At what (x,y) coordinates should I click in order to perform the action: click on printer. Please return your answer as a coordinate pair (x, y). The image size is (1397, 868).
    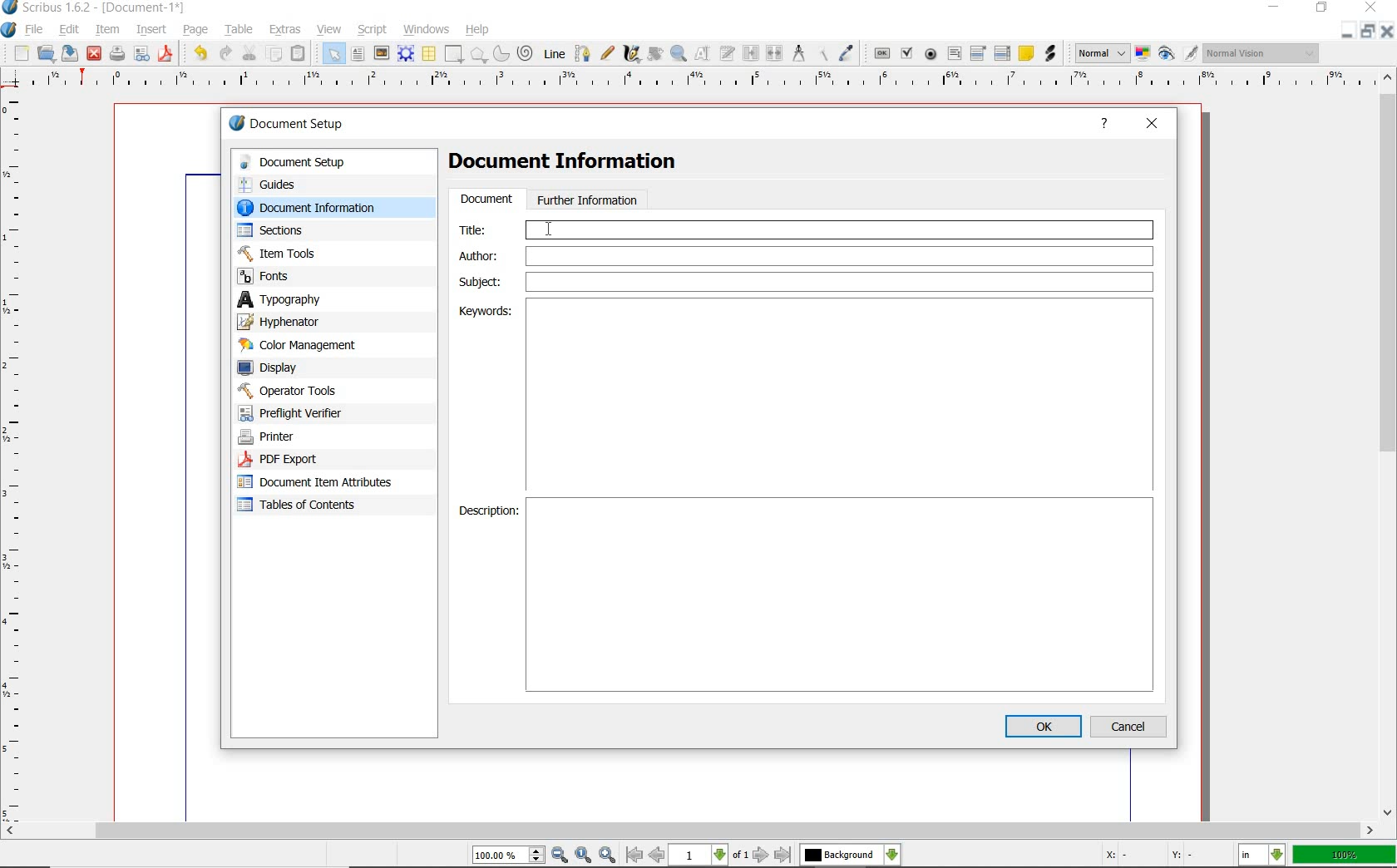
    Looking at the image, I should click on (306, 437).